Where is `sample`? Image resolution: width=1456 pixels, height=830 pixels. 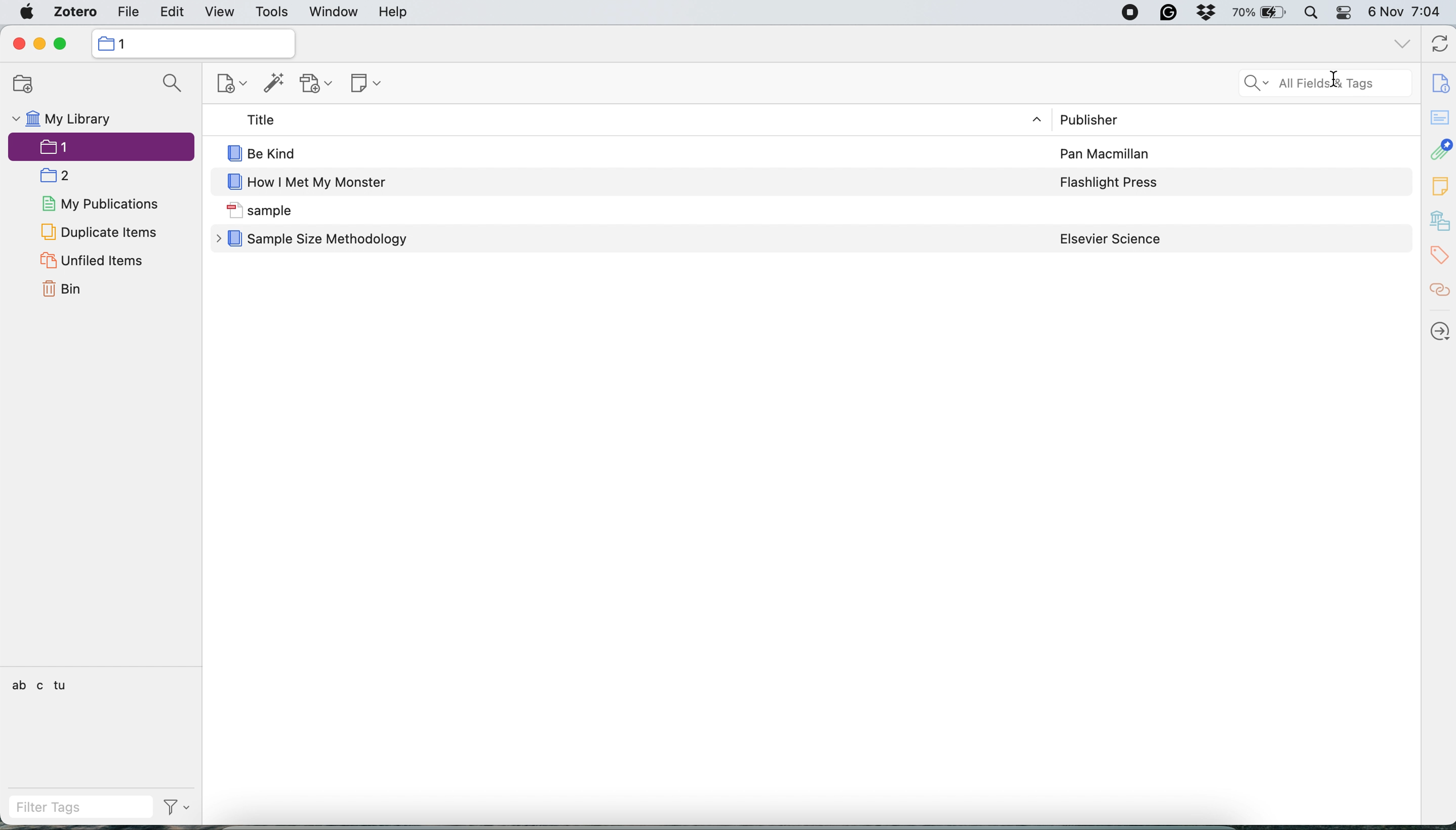
sample is located at coordinates (282, 211).